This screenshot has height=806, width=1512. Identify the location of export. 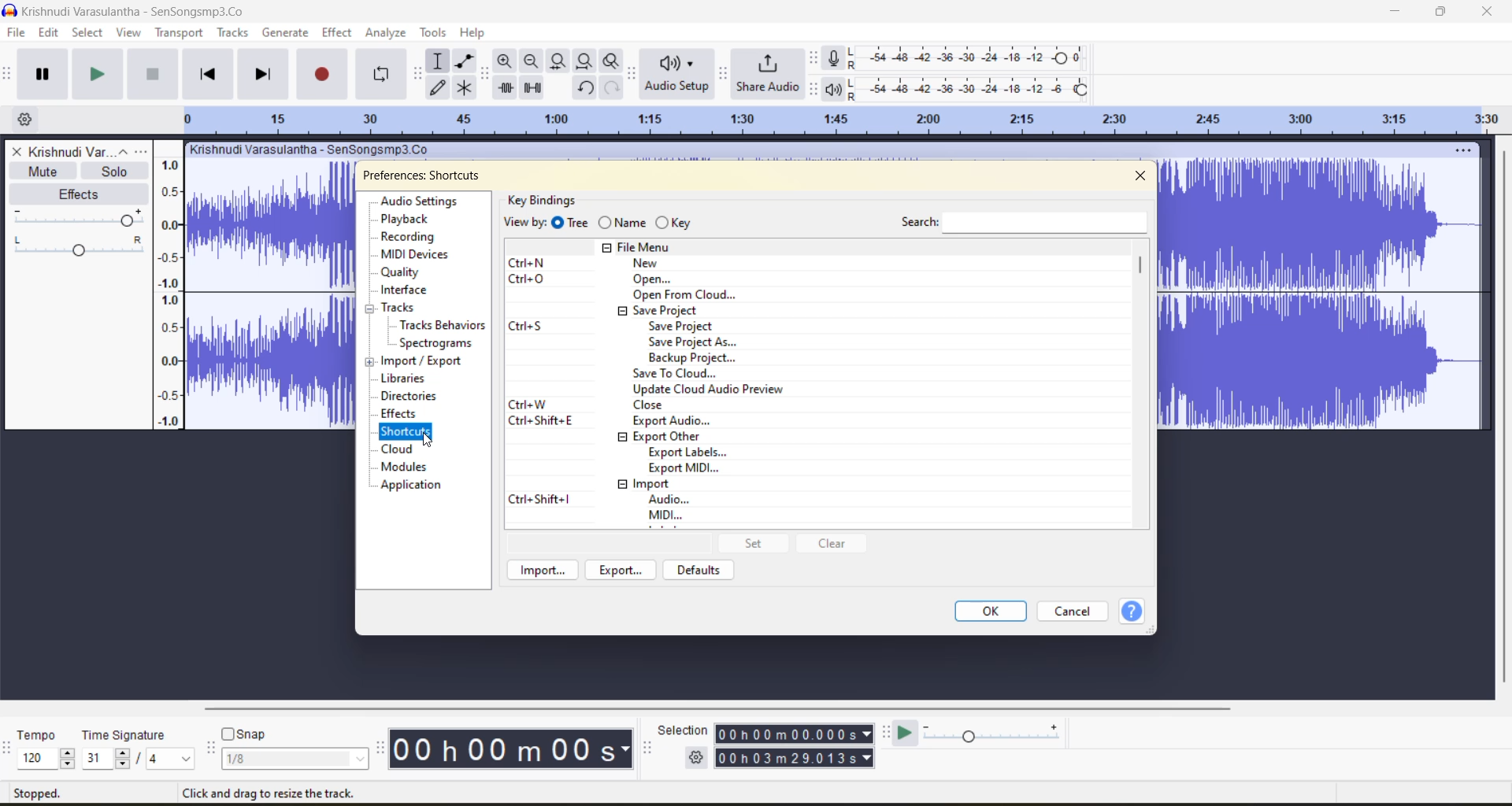
(617, 570).